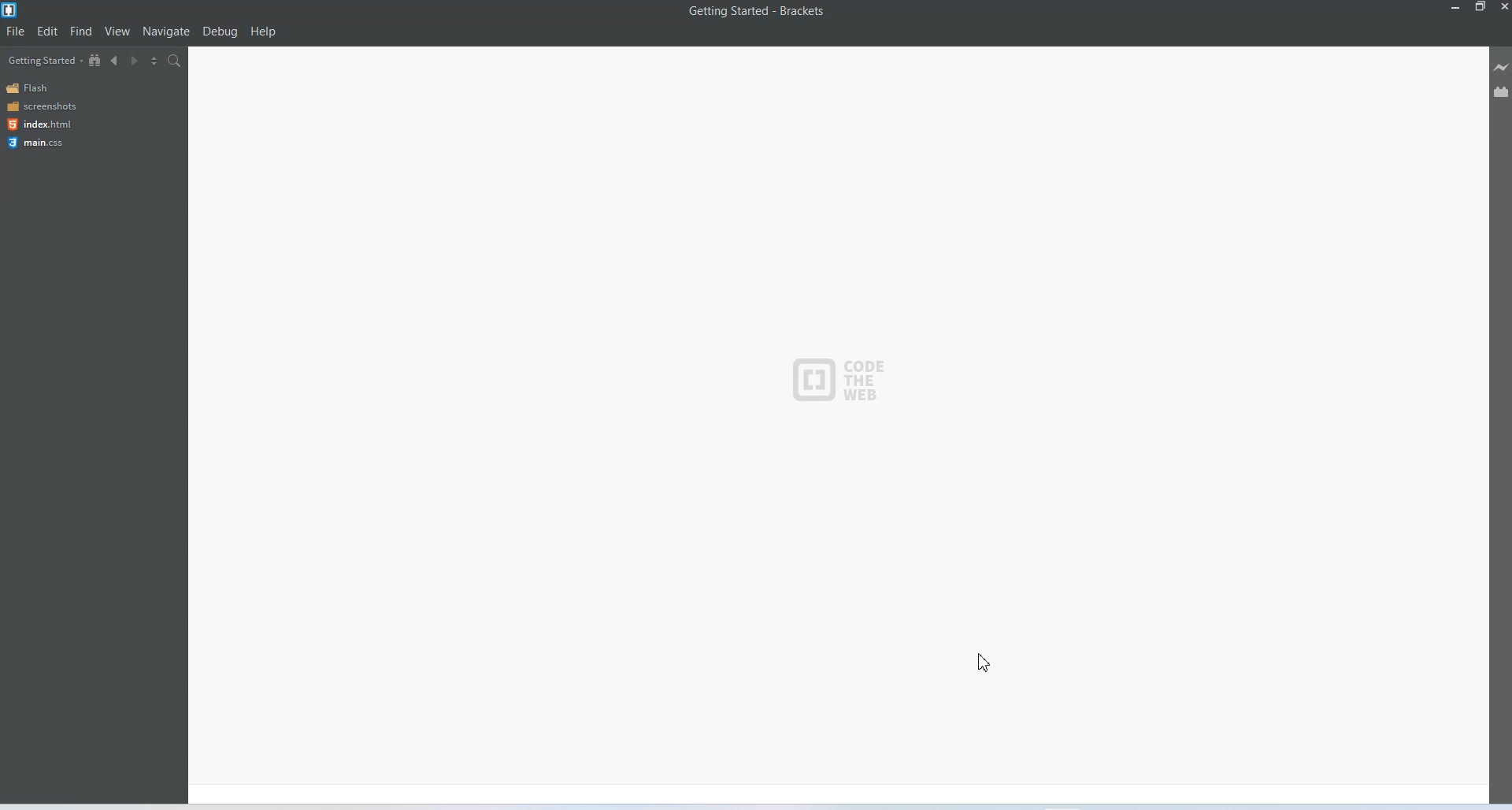 The height and width of the screenshot is (810, 1512). I want to click on Debug, so click(219, 32).